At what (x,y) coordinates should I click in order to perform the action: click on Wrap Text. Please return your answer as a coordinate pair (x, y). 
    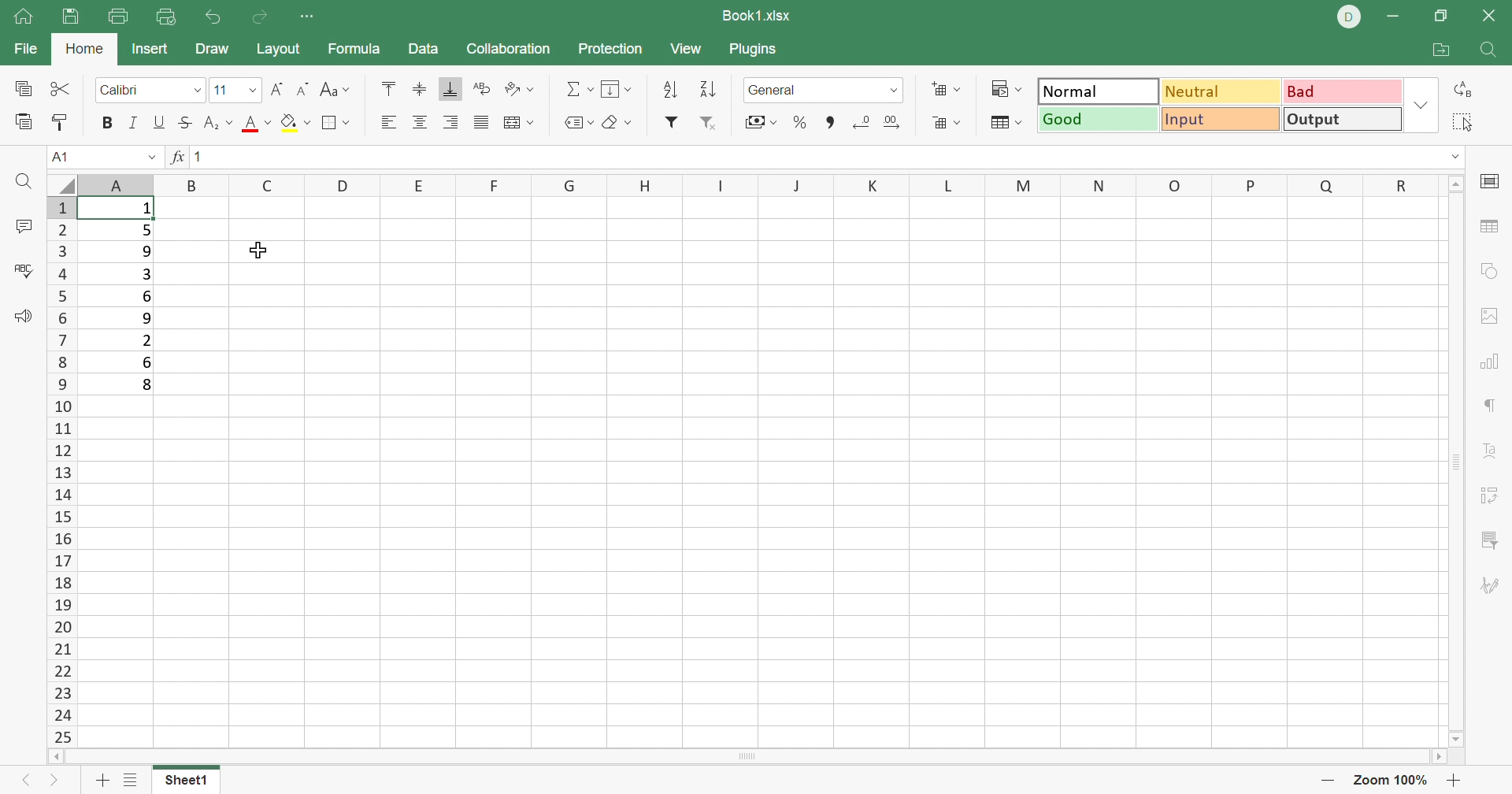
    Looking at the image, I should click on (484, 91).